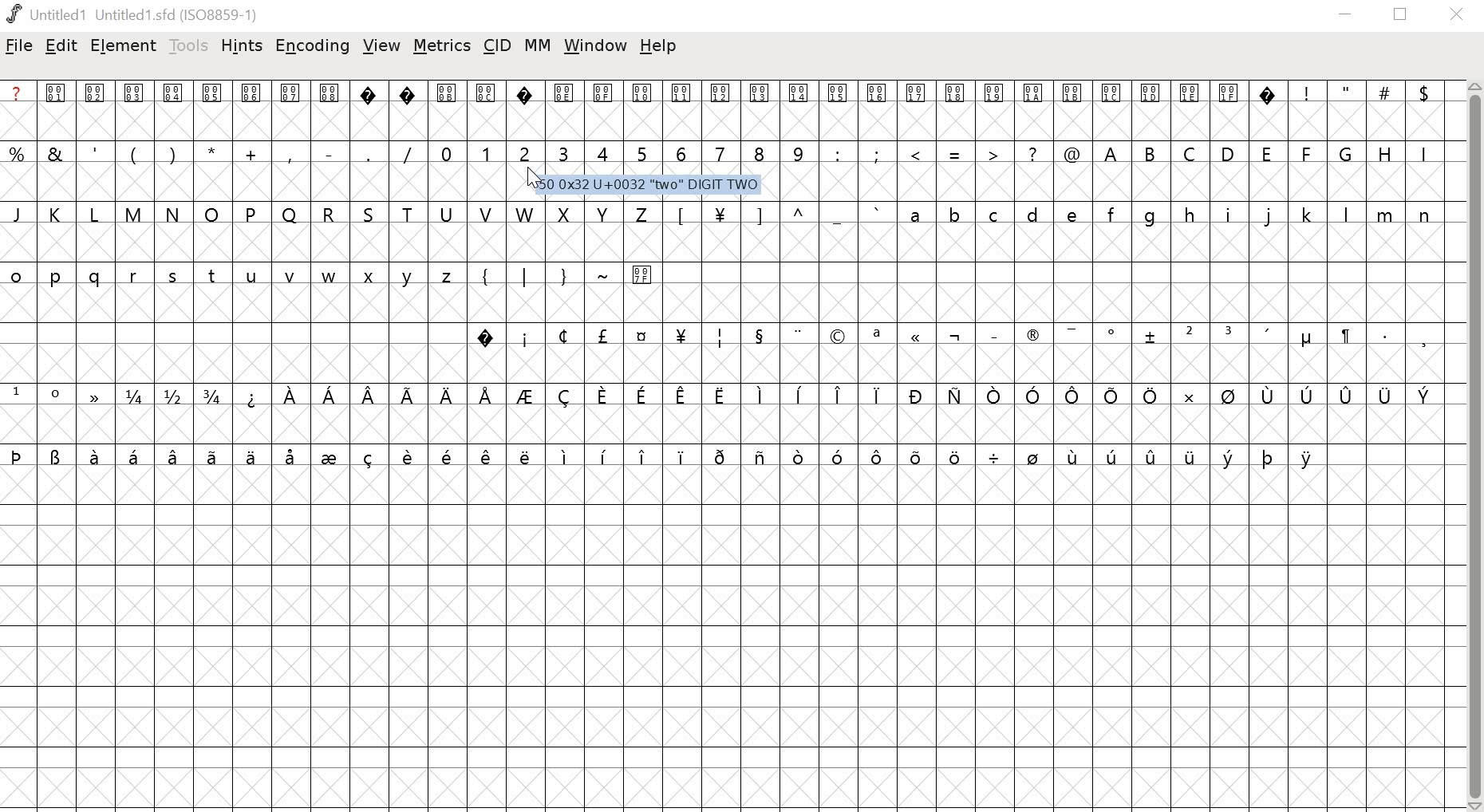 The image size is (1484, 812). What do you see at coordinates (648, 185) in the screenshot?
I see `50 0x32 U+0032 "two" DIGIT TWO` at bounding box center [648, 185].